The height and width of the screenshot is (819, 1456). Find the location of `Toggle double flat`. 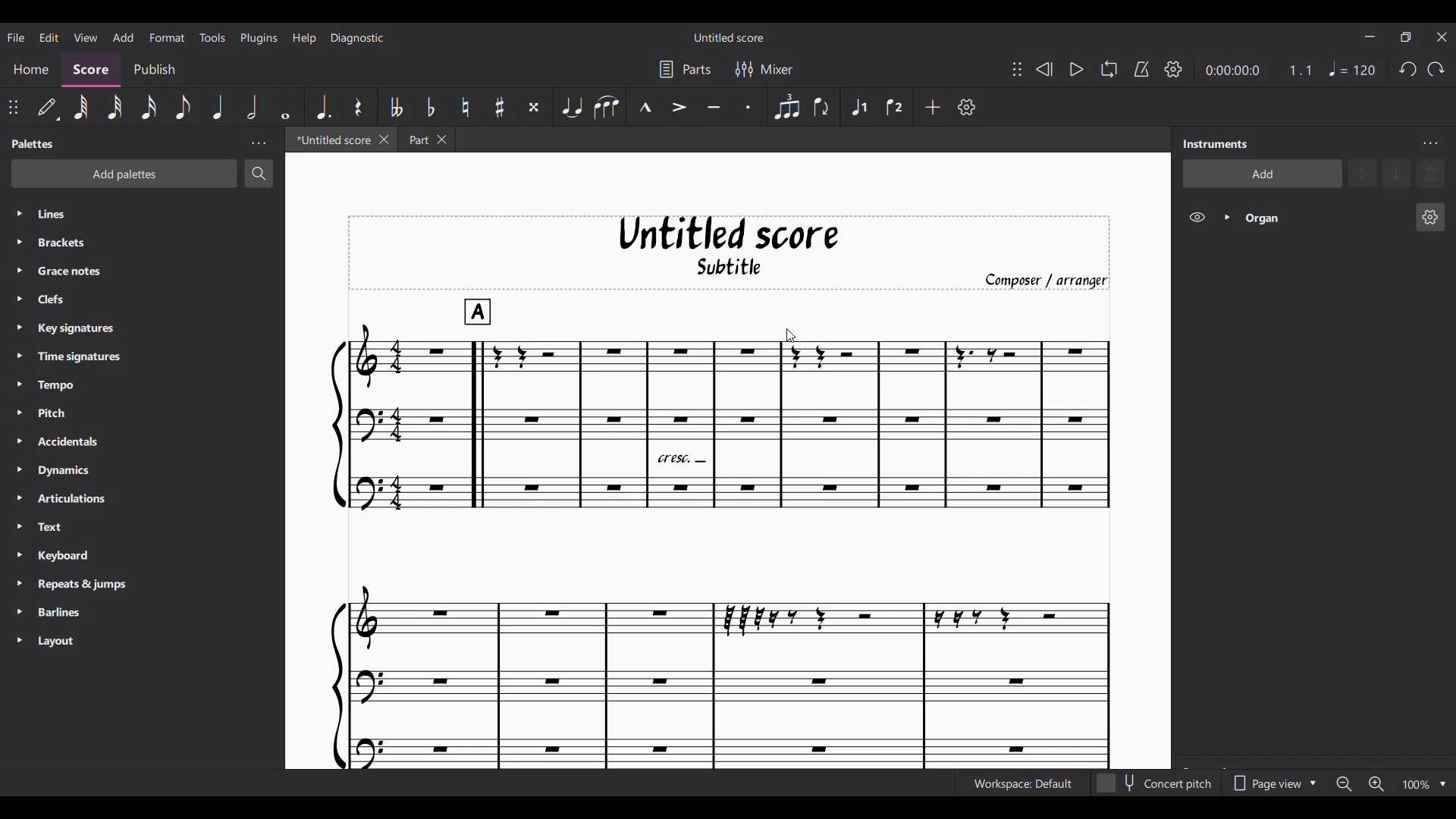

Toggle double flat is located at coordinates (397, 107).